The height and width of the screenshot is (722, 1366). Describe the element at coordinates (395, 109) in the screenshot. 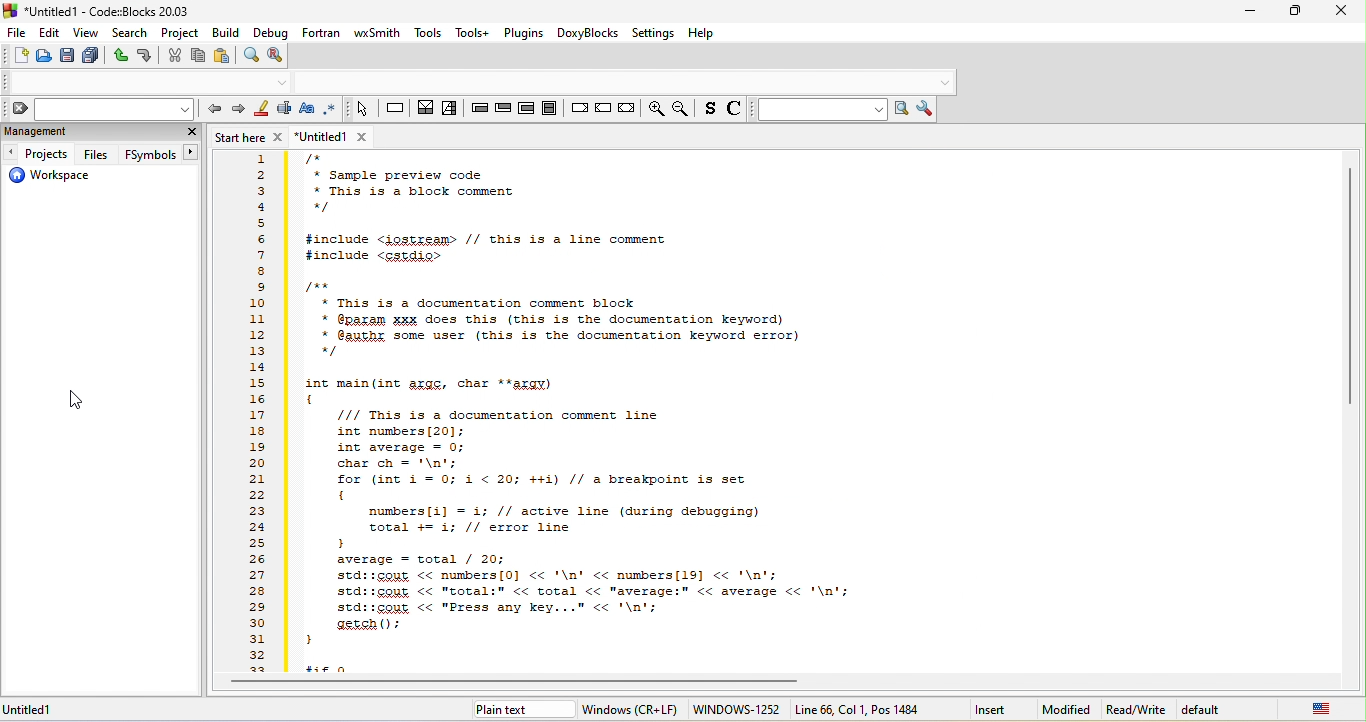

I see `instruction` at that location.